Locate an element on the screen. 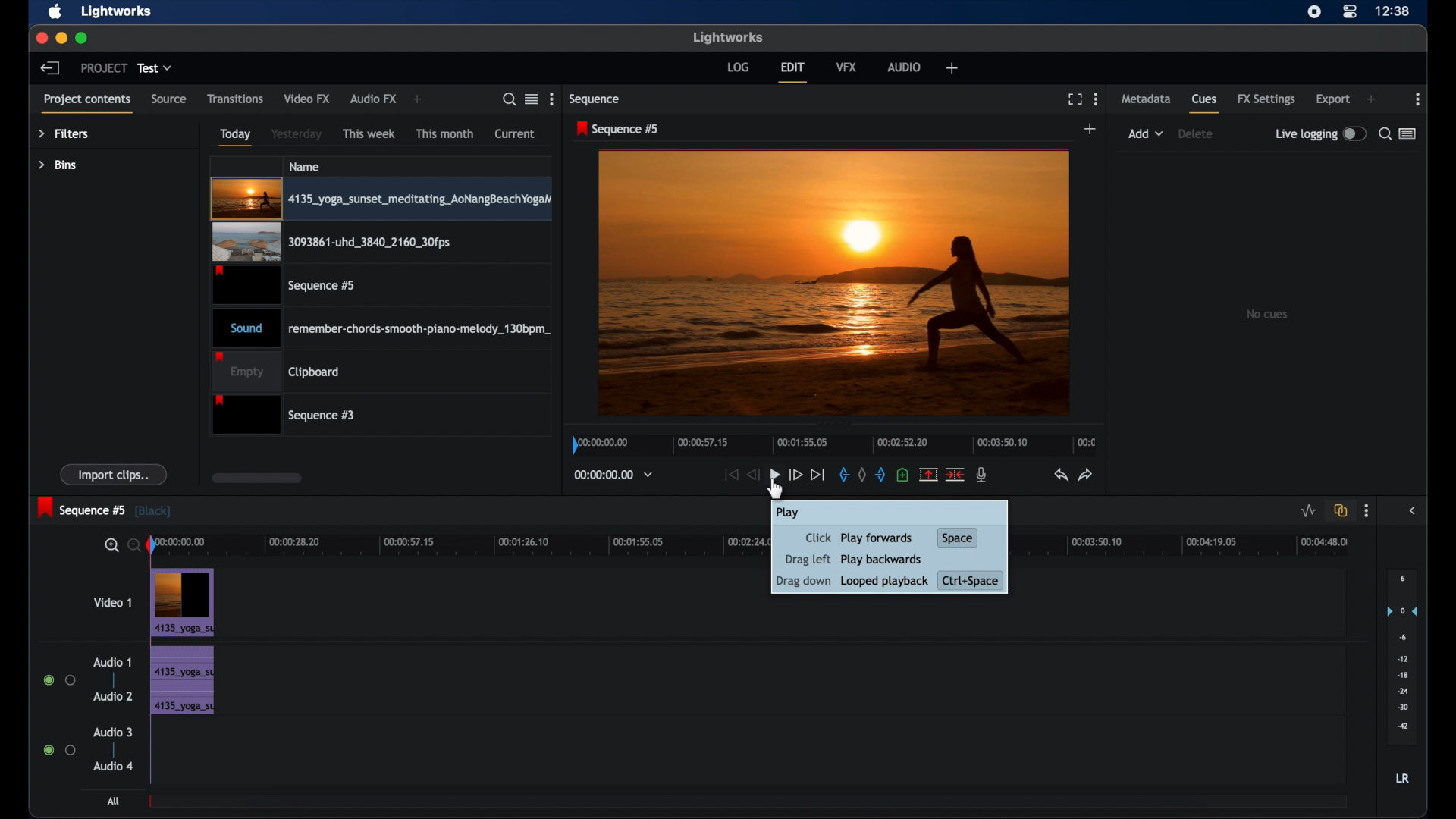 The width and height of the screenshot is (1456, 819). screen recorder icon is located at coordinates (1313, 12).